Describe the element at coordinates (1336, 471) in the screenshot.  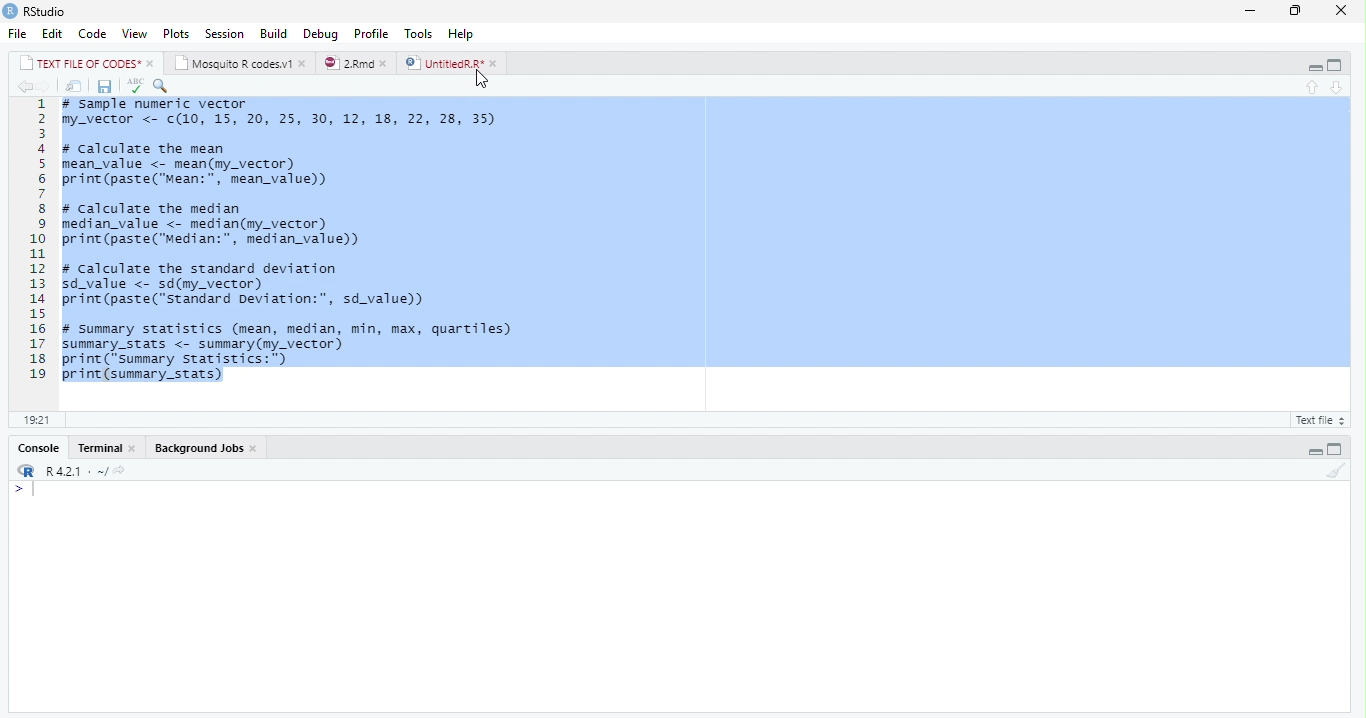
I see `clear console` at that location.